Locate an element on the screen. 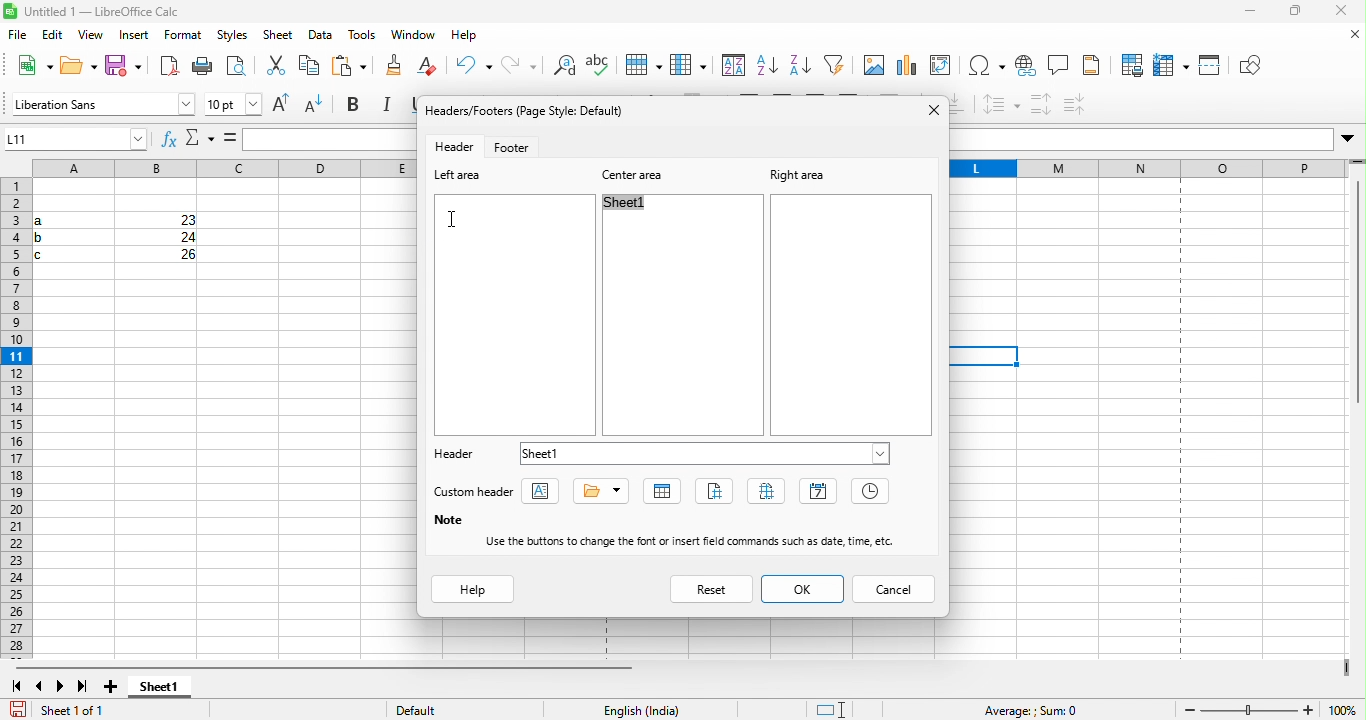 The height and width of the screenshot is (720, 1366). title is located at coordinates (108, 13).